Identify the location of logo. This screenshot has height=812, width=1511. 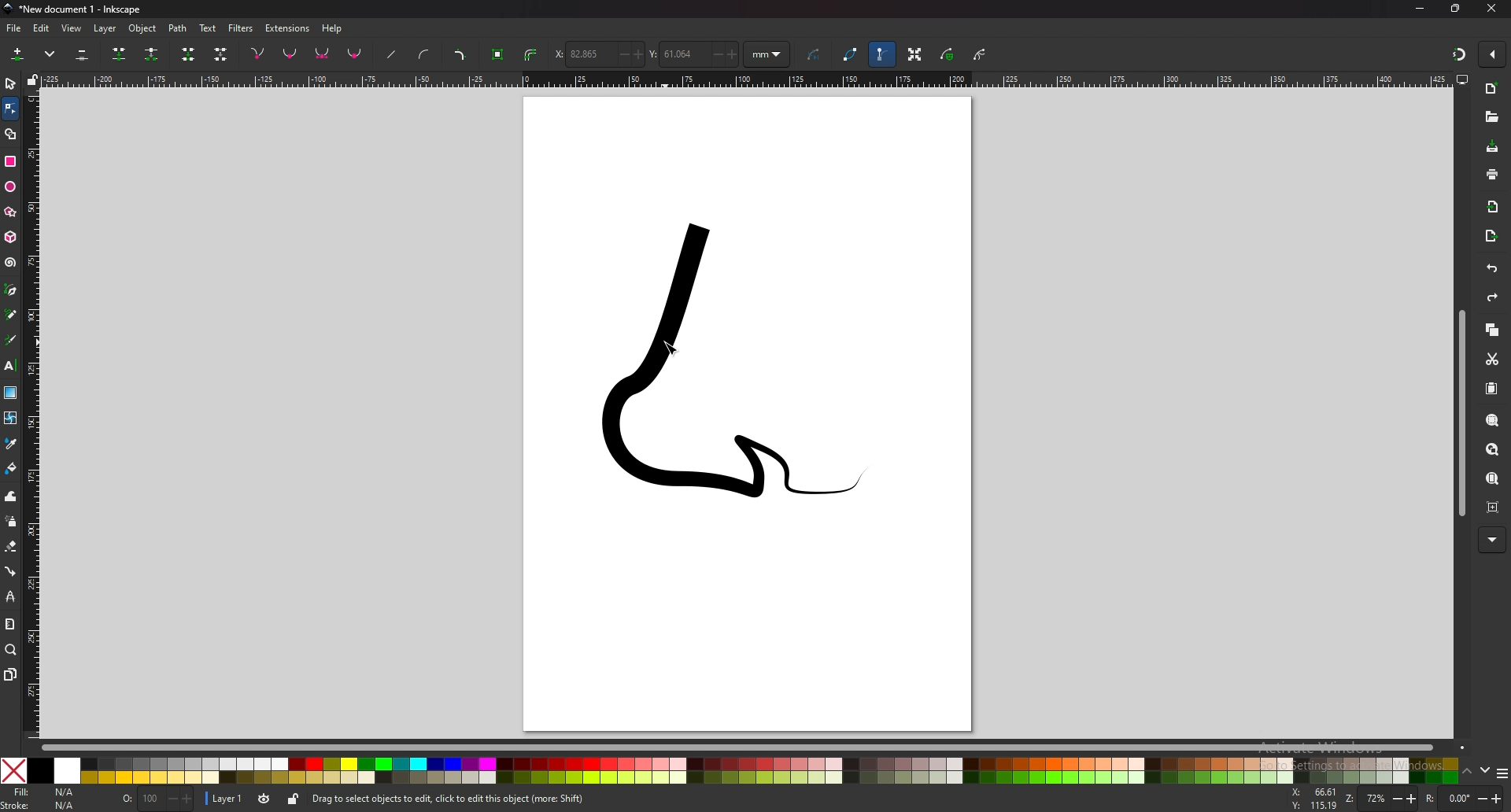
(9, 9).